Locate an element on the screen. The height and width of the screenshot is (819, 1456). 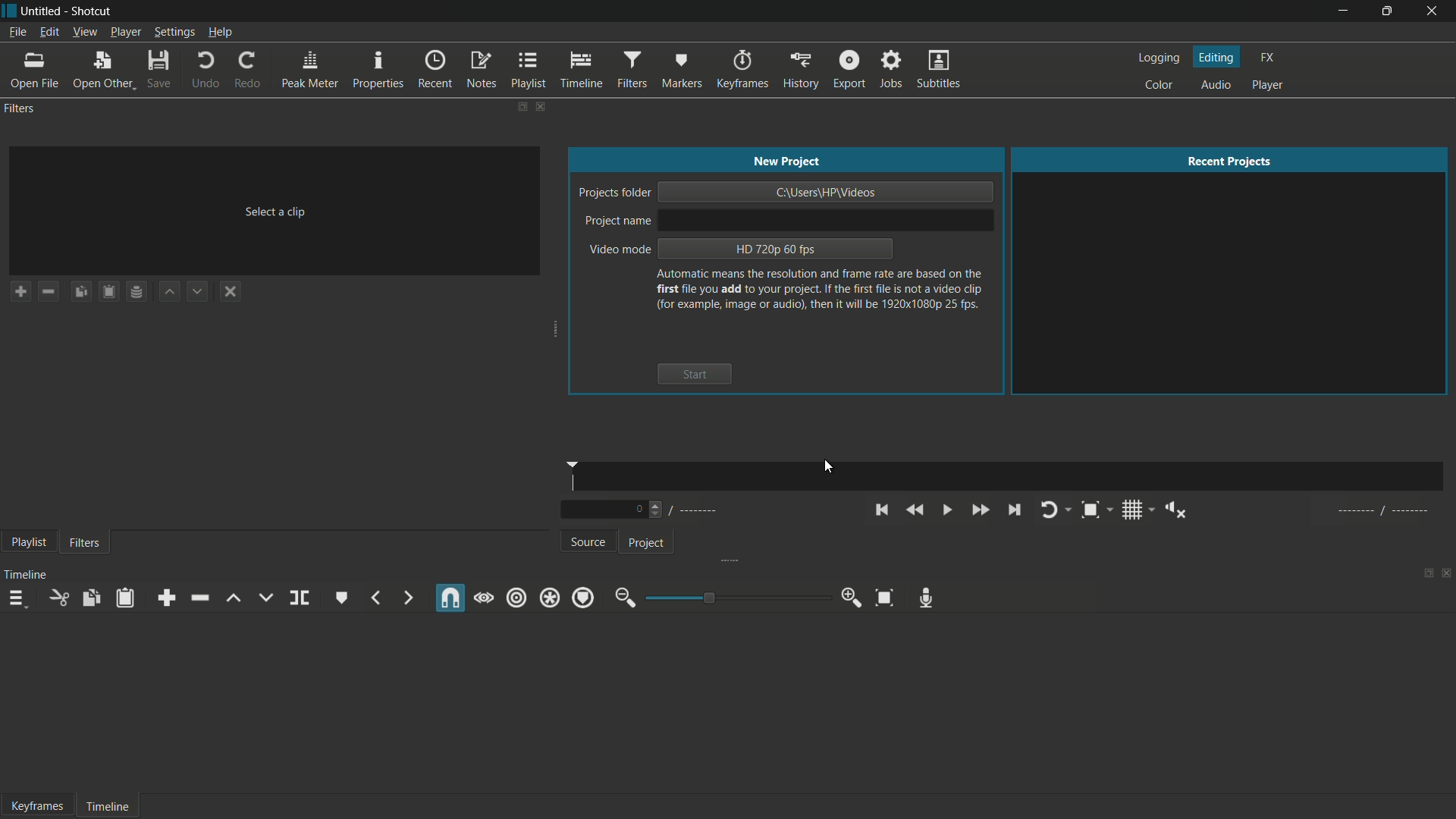
video mode is located at coordinates (618, 250).